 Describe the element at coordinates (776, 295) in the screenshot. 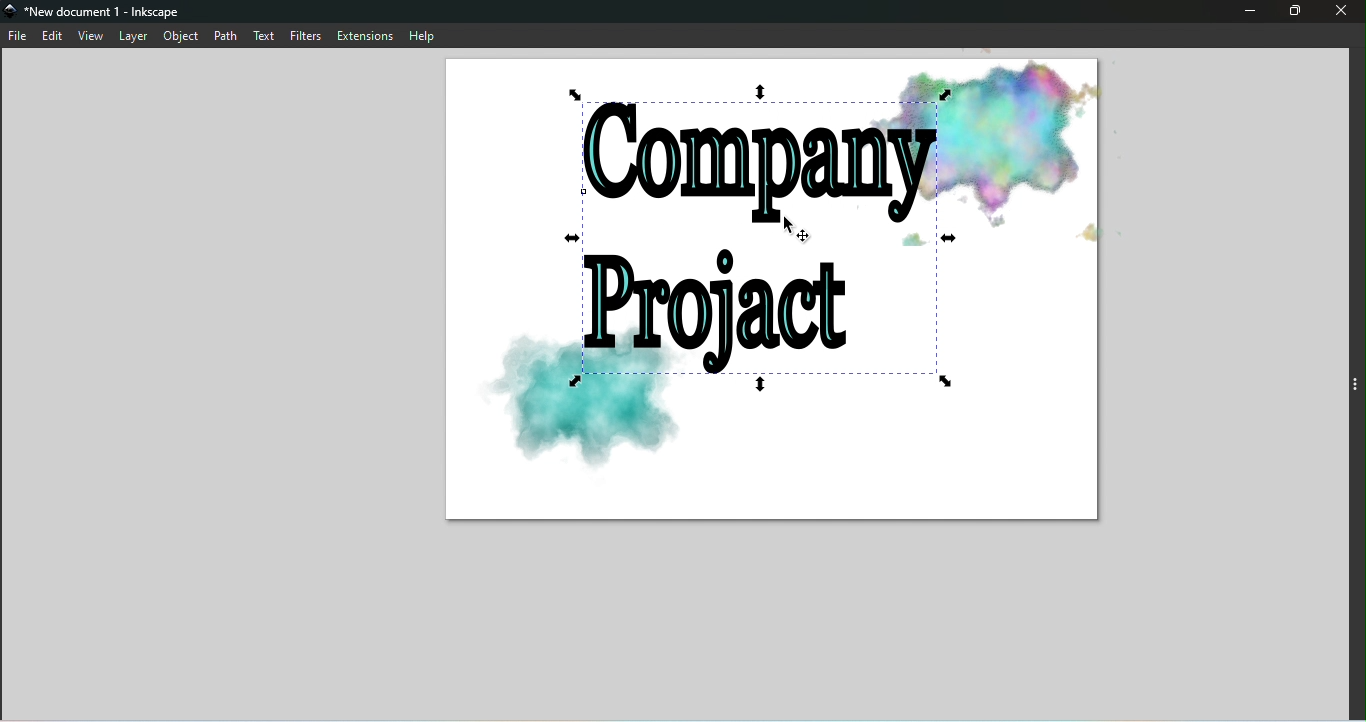

I see `Canvas` at that location.